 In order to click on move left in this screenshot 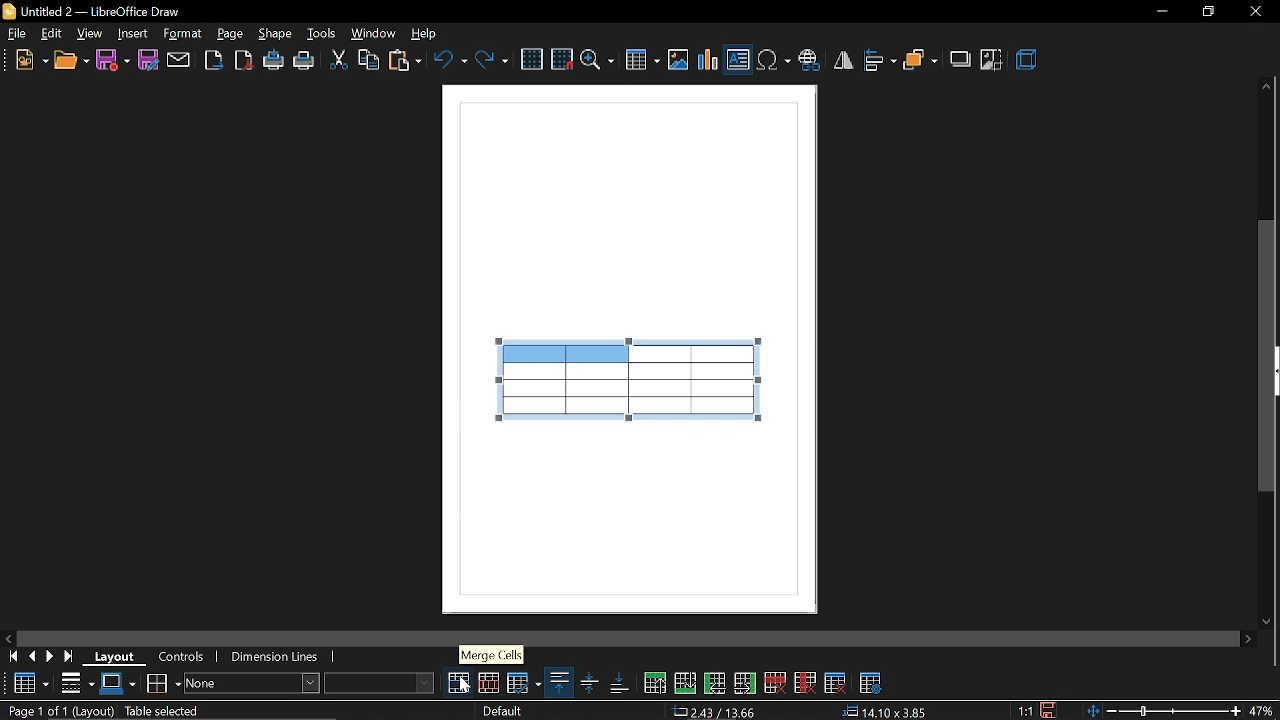, I will do `click(8, 637)`.